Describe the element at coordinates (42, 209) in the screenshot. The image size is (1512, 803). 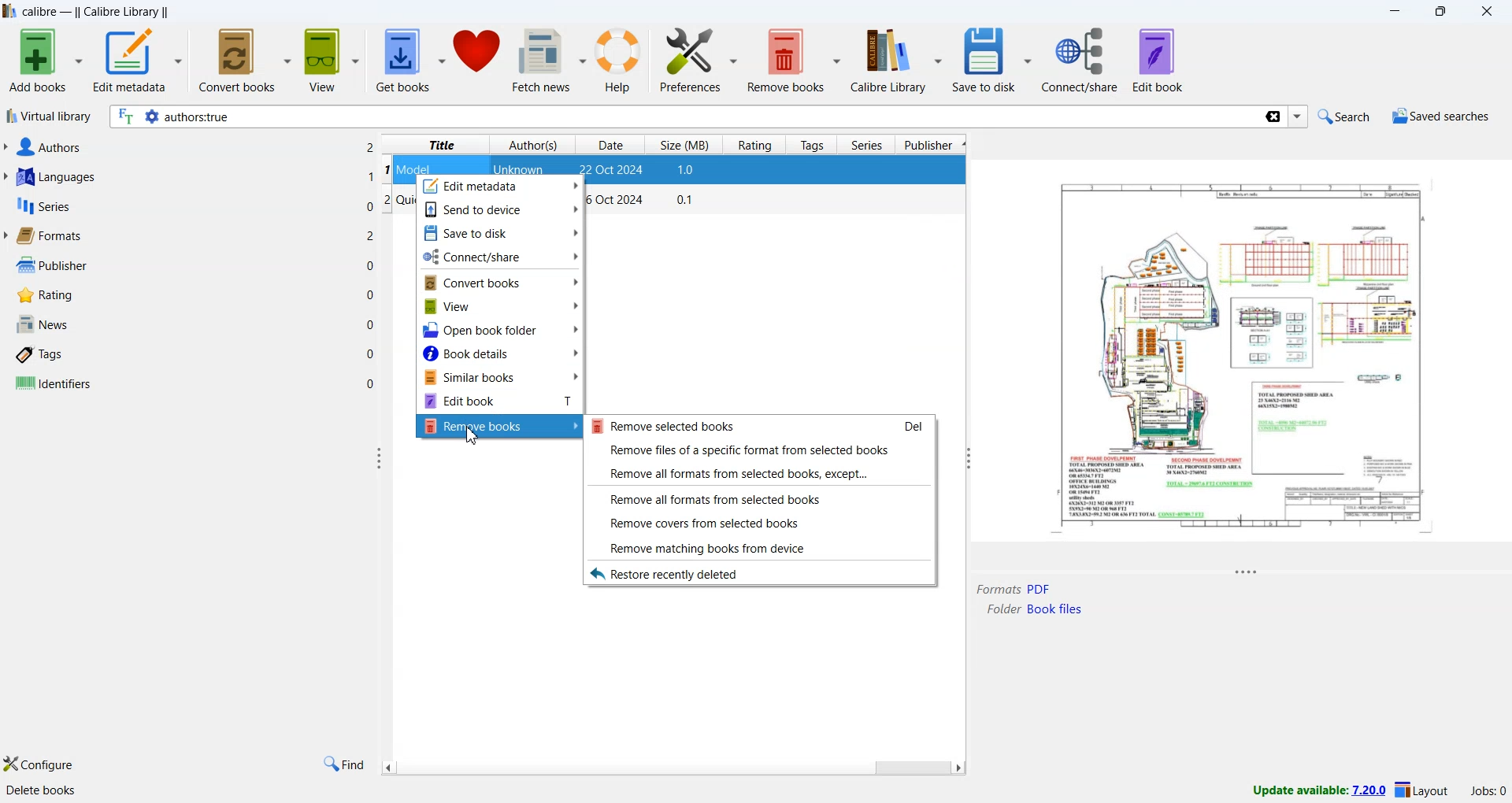
I see `series` at that location.